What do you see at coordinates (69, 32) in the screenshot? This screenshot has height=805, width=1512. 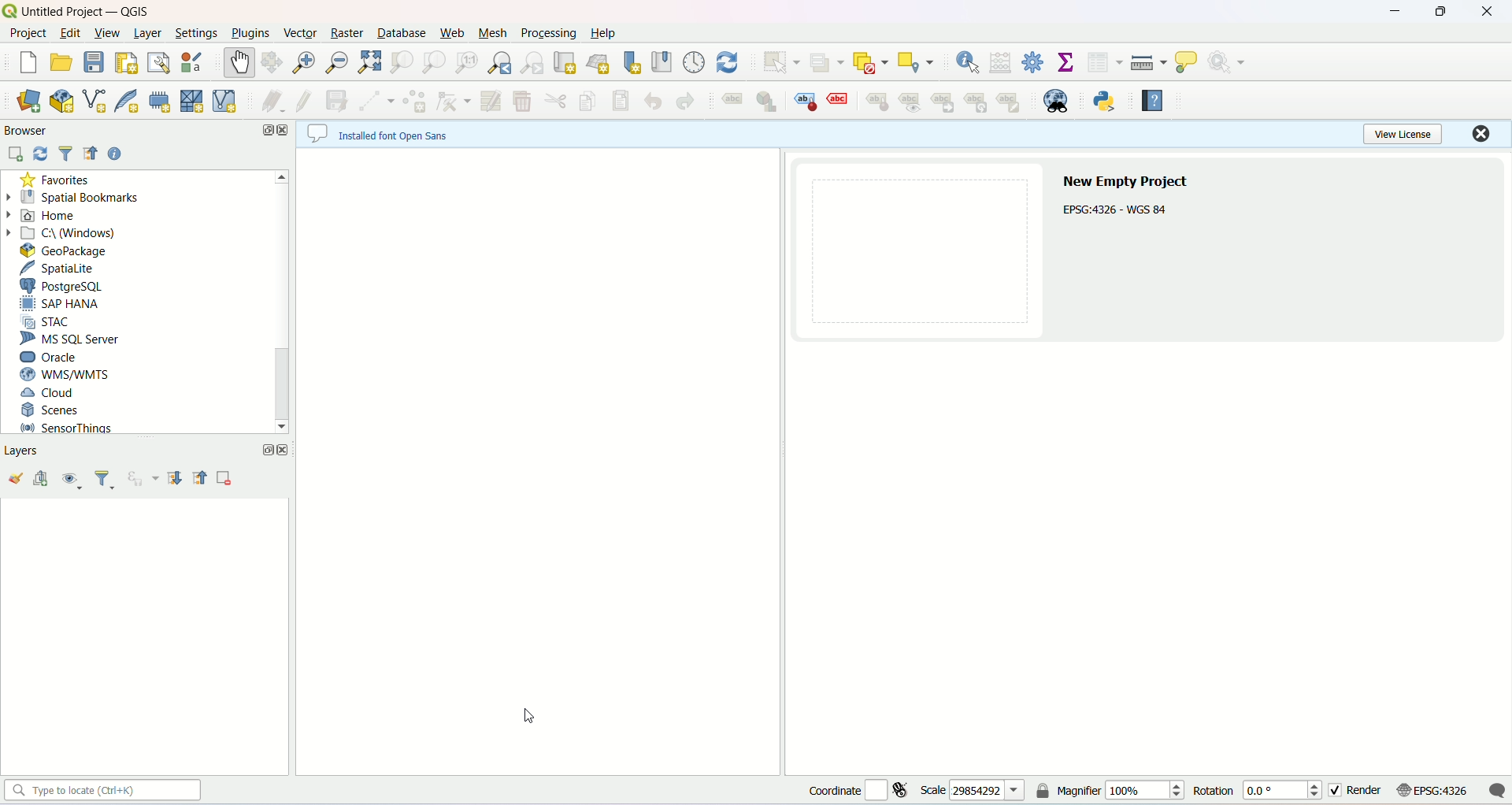 I see `edit` at bounding box center [69, 32].